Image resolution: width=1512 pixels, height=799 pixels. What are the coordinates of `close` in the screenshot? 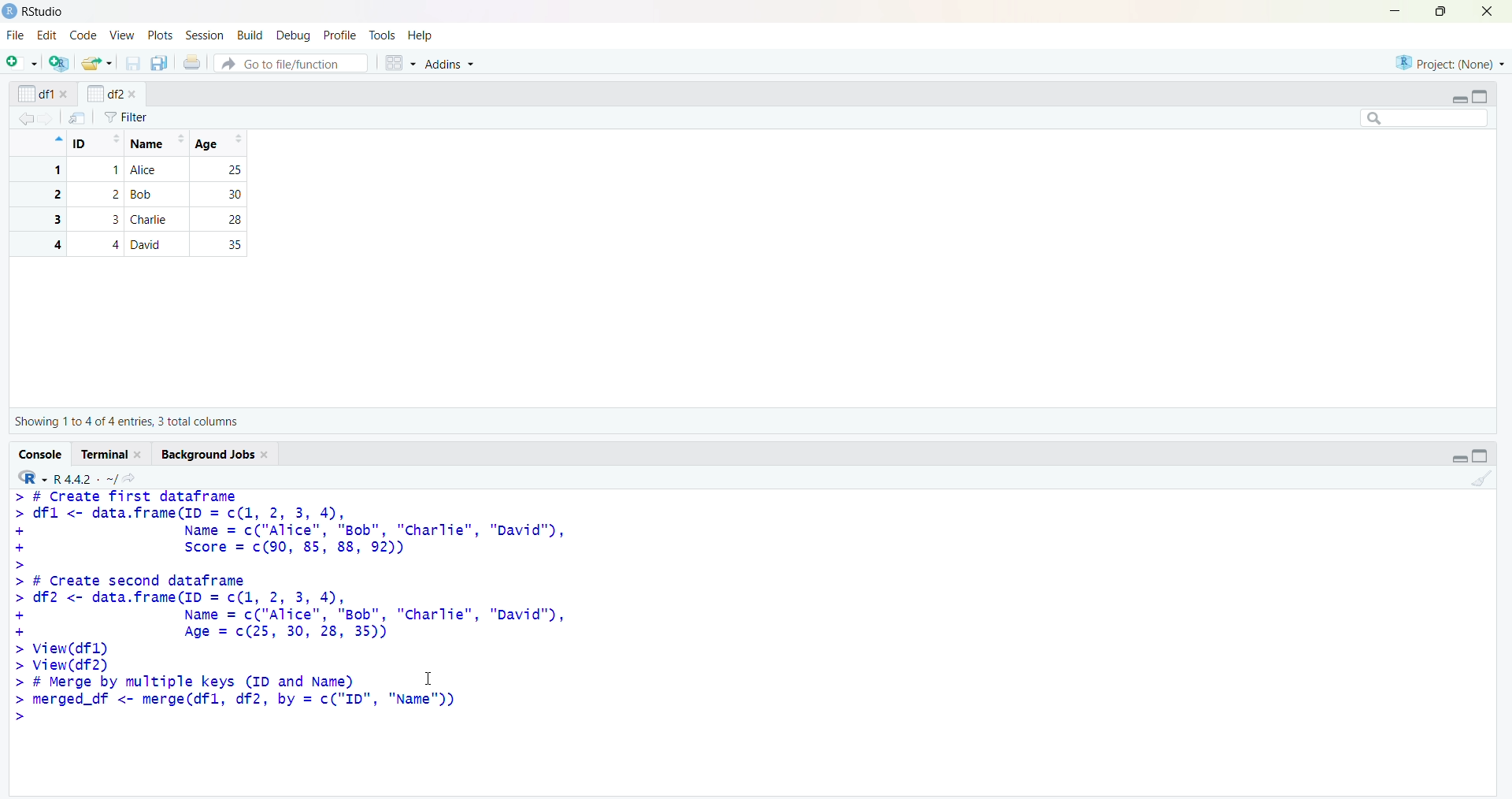 It's located at (132, 95).